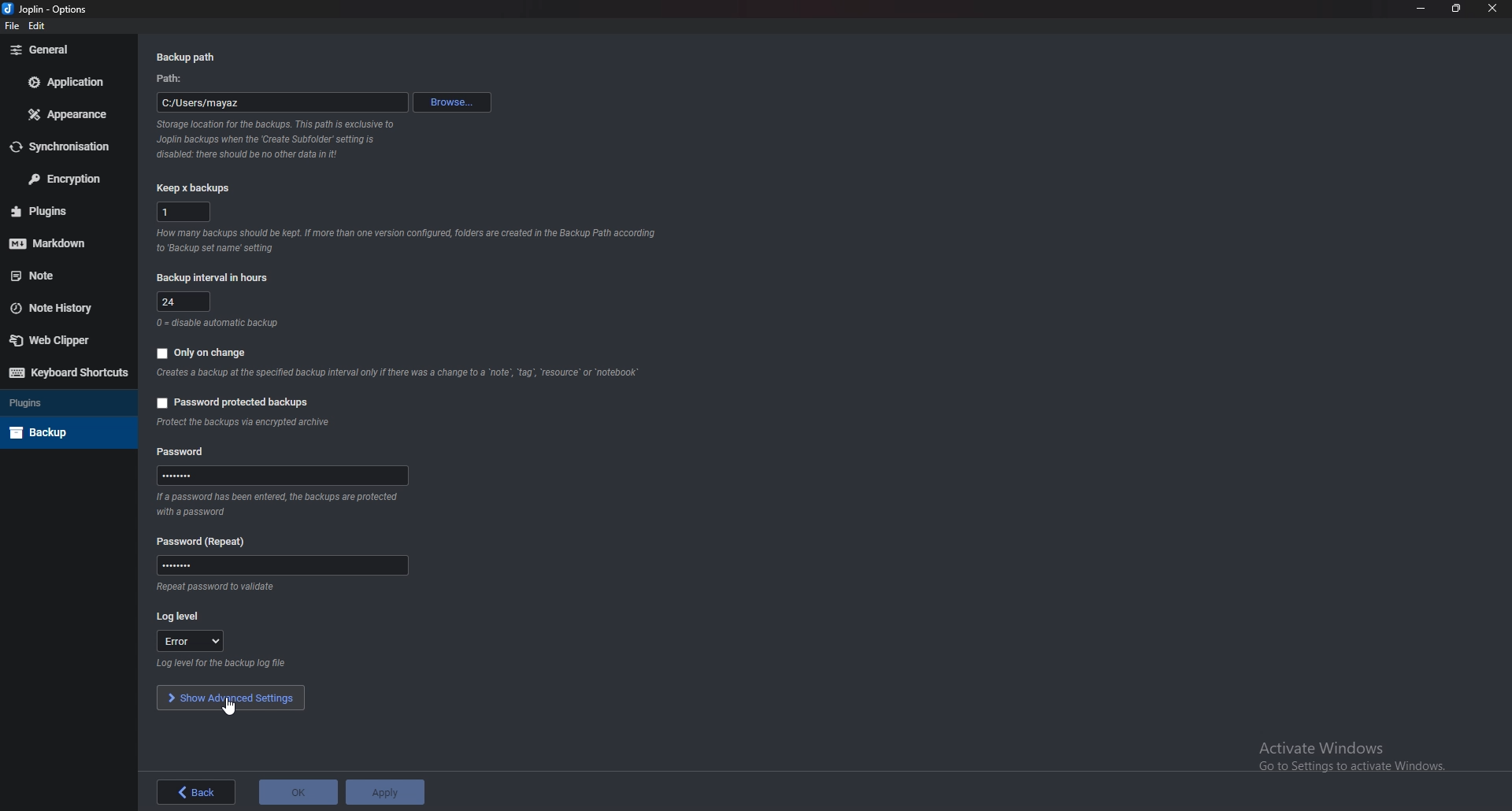 The width and height of the screenshot is (1512, 811). What do you see at coordinates (61, 308) in the screenshot?
I see `Note history` at bounding box center [61, 308].